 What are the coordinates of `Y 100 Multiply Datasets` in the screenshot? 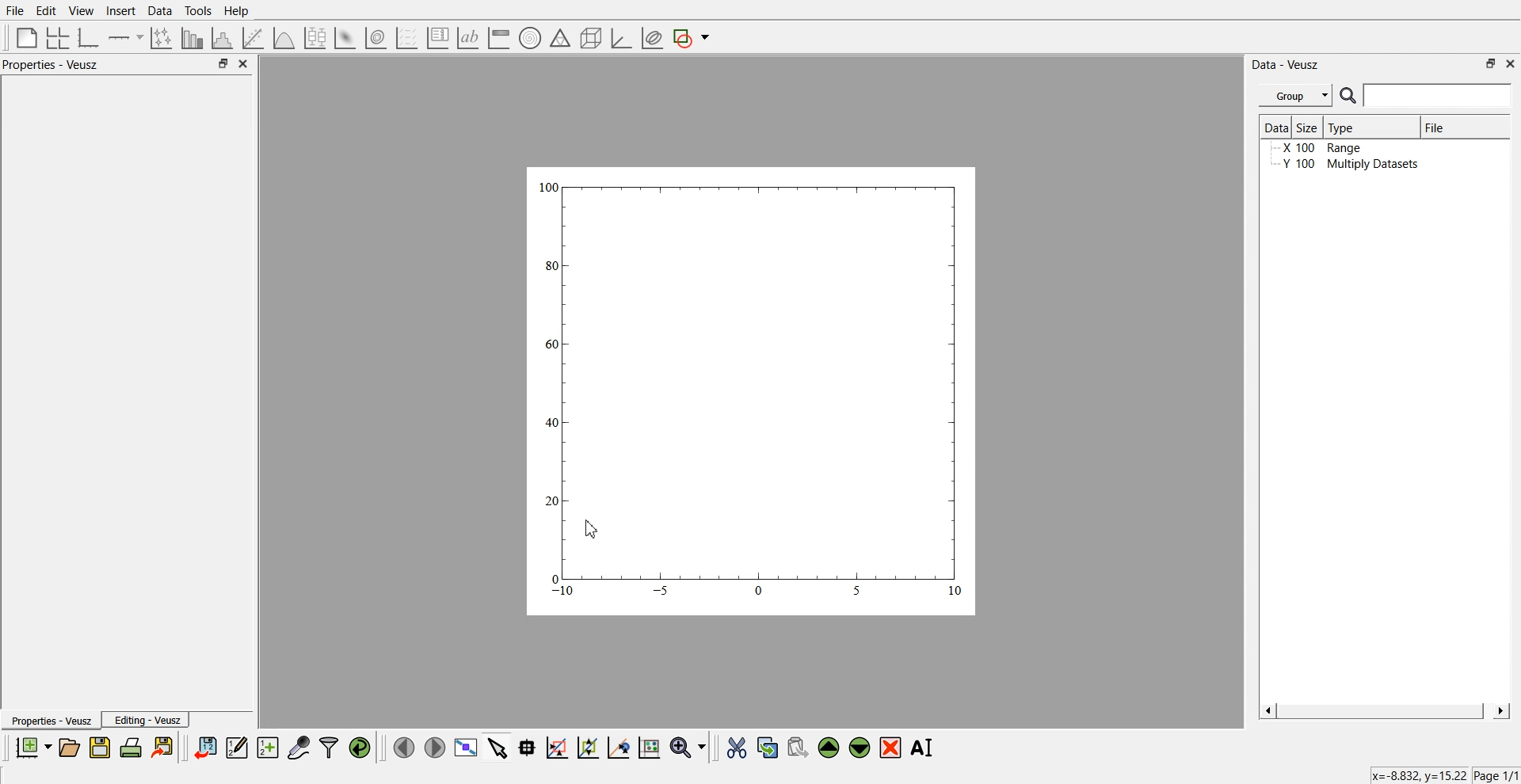 It's located at (1345, 166).